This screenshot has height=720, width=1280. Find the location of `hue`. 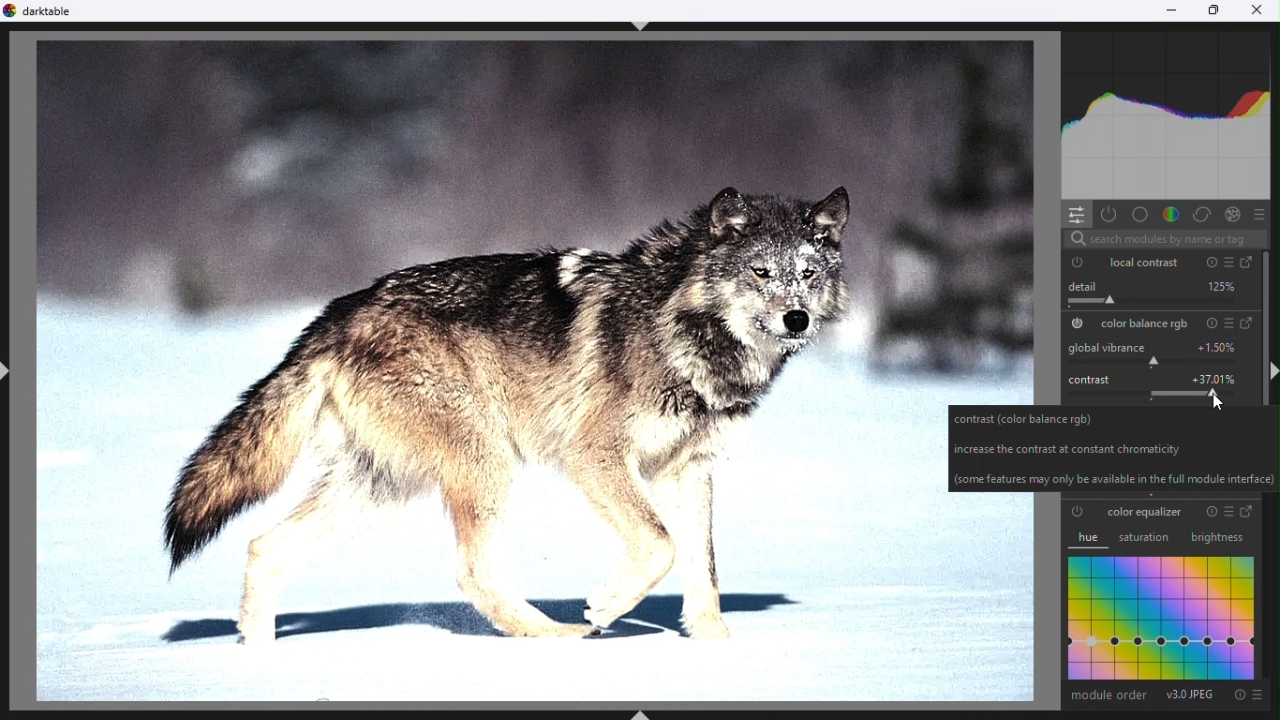

hue is located at coordinates (1090, 539).